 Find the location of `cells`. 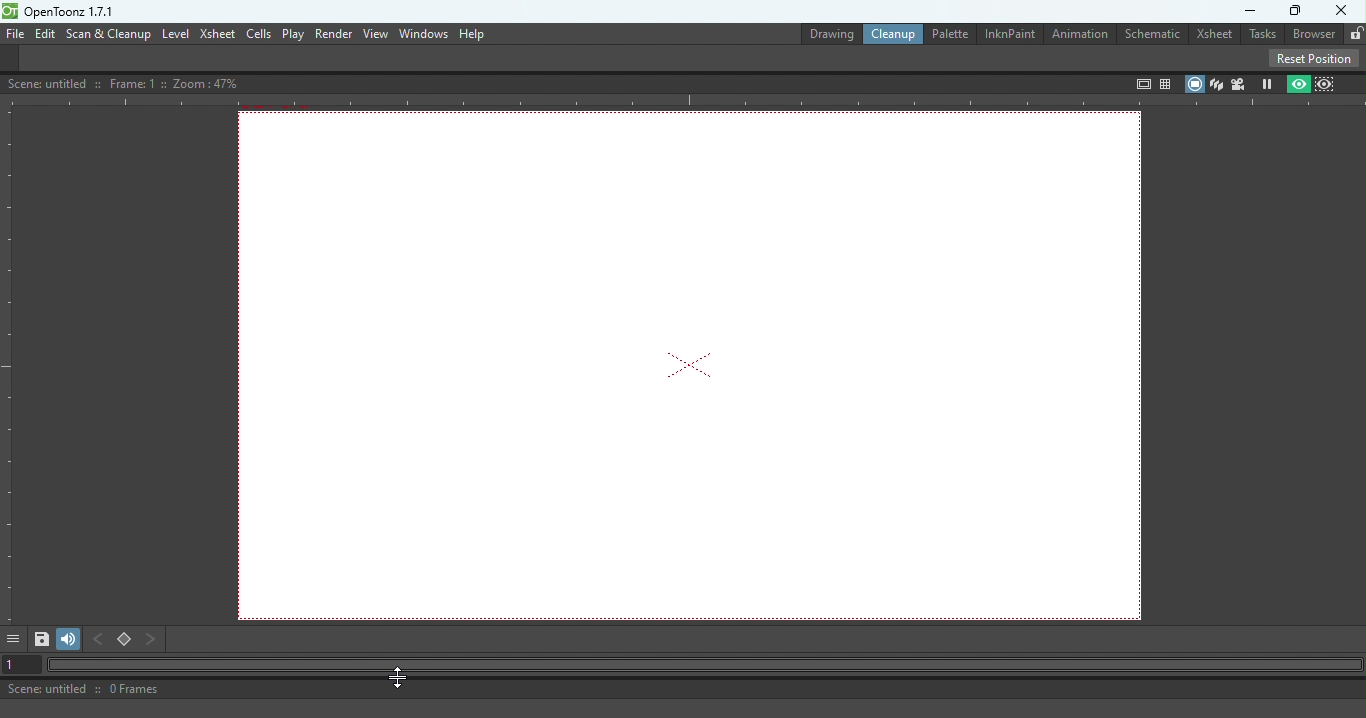

cells is located at coordinates (258, 34).